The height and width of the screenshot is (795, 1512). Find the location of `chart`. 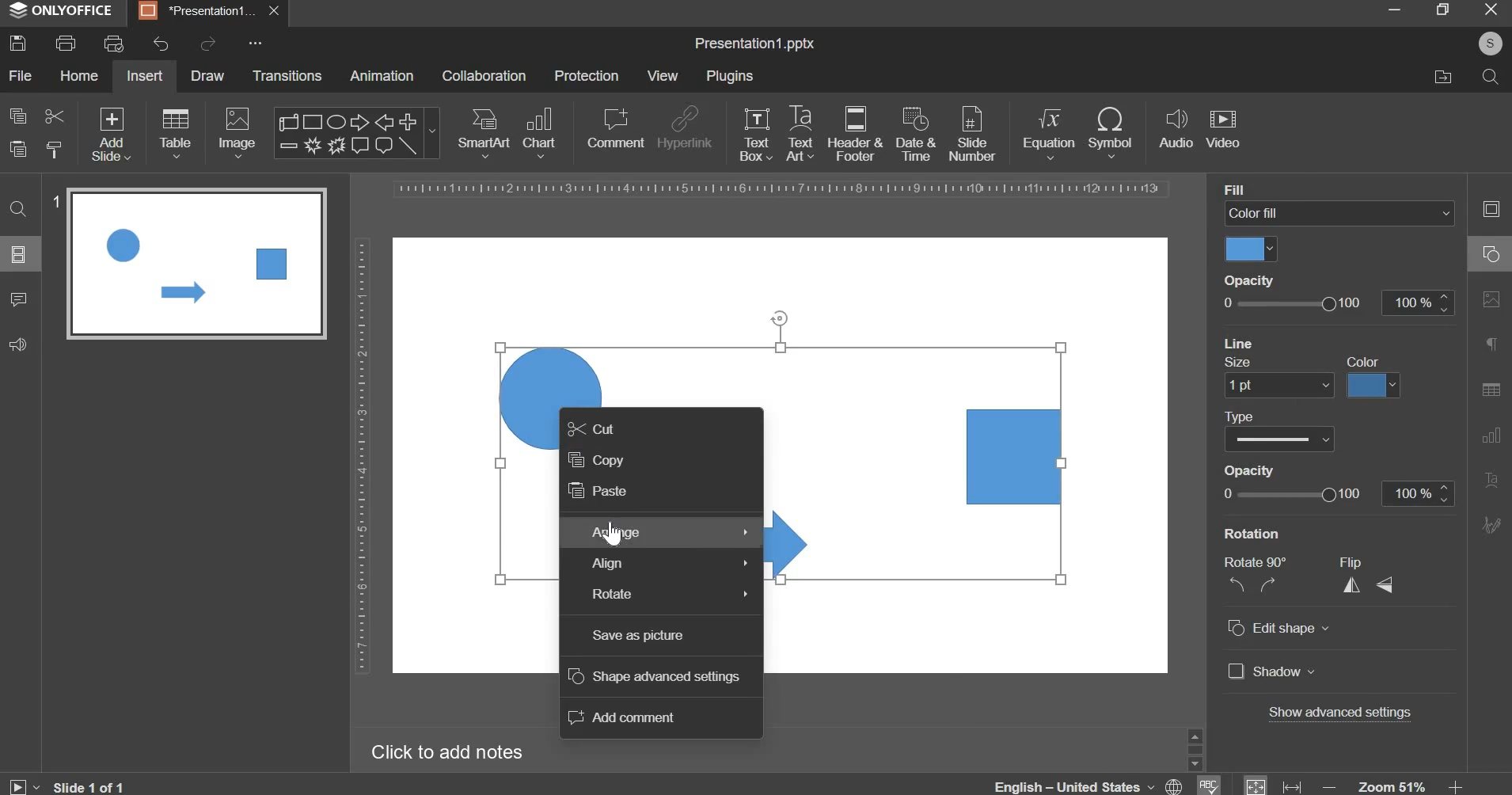

chart is located at coordinates (541, 131).